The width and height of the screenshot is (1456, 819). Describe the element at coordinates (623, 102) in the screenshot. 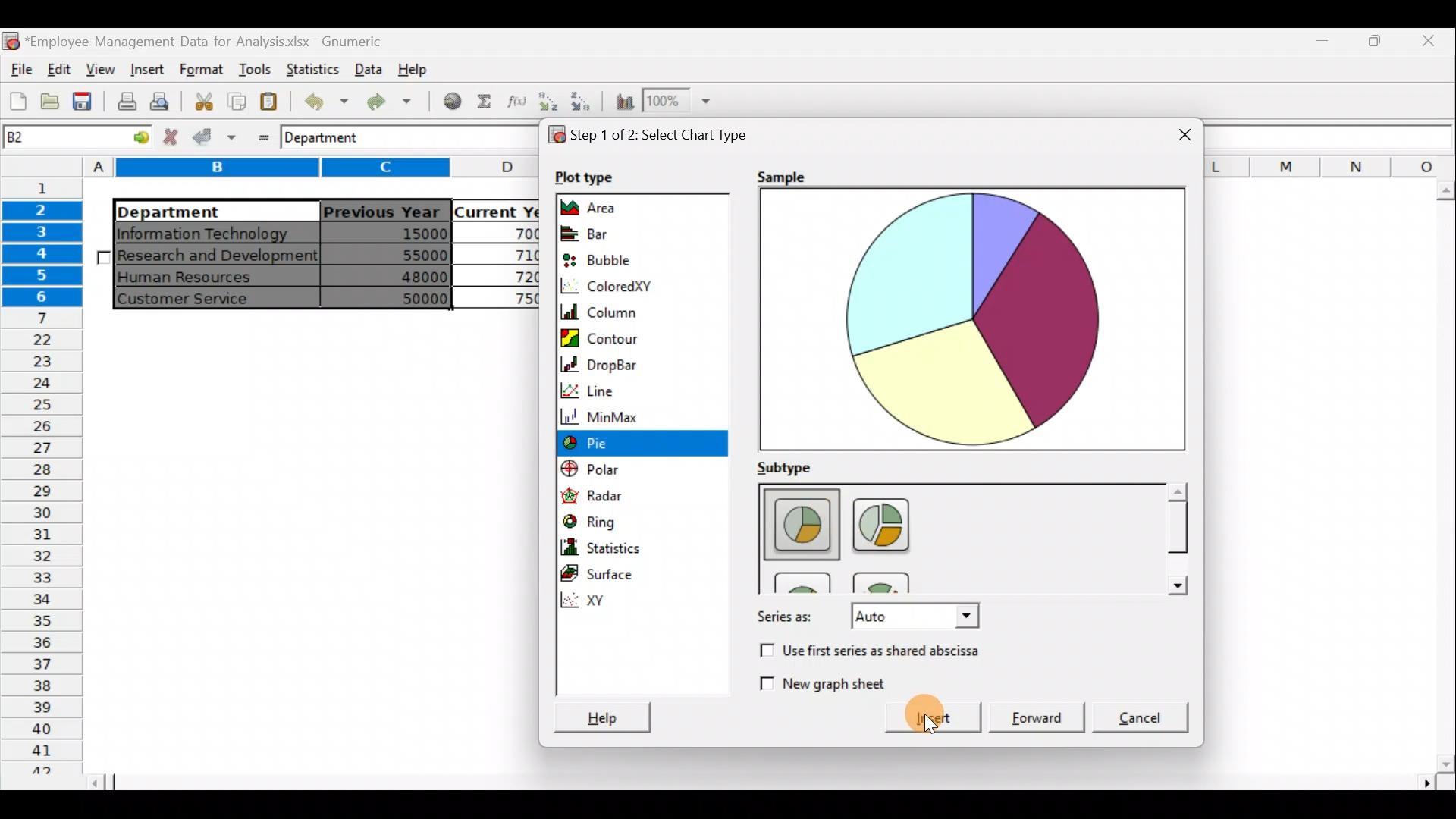

I see `Insert a chart` at that location.